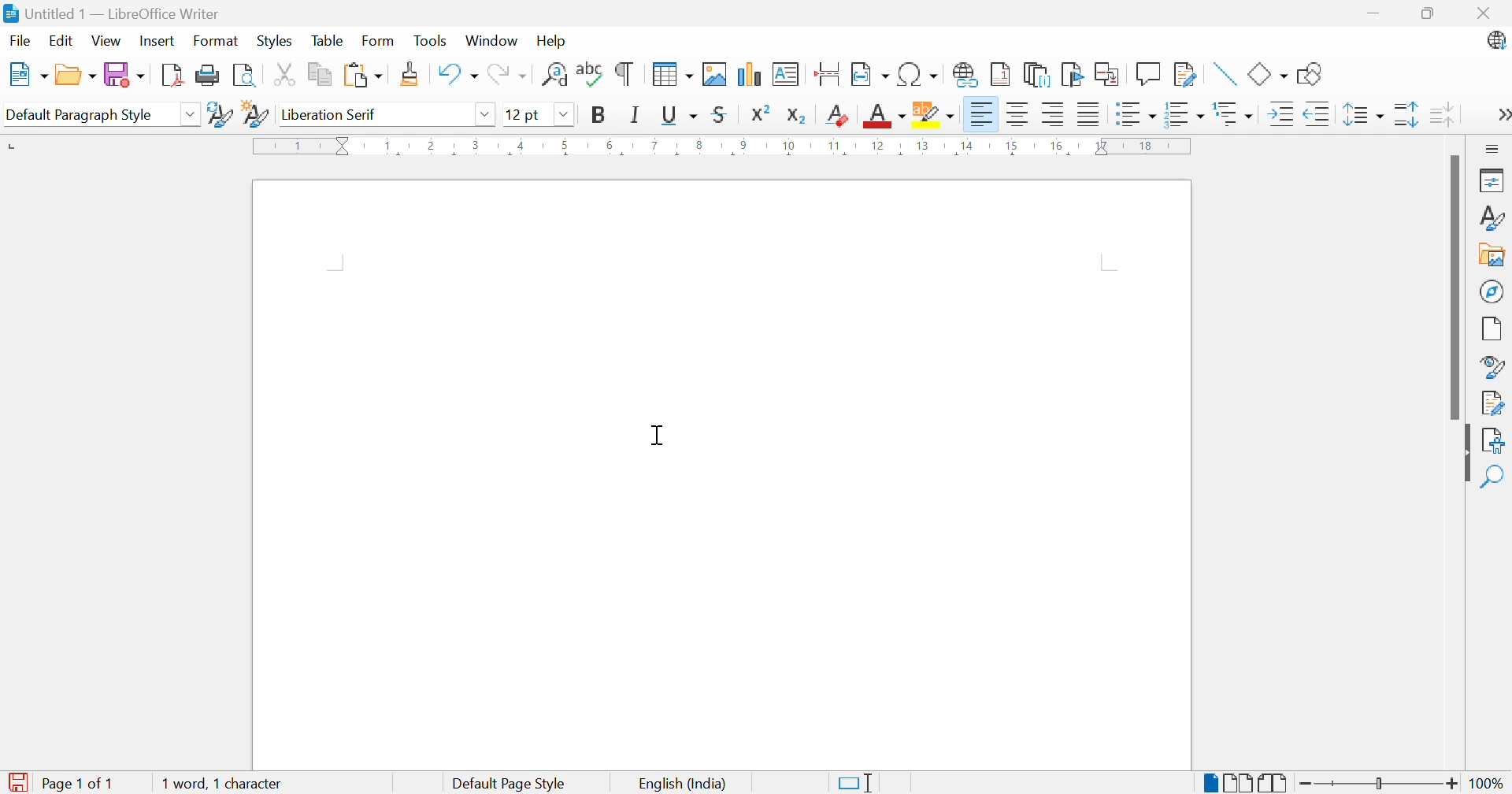 The width and height of the screenshot is (1512, 794). I want to click on Underline, so click(680, 115).